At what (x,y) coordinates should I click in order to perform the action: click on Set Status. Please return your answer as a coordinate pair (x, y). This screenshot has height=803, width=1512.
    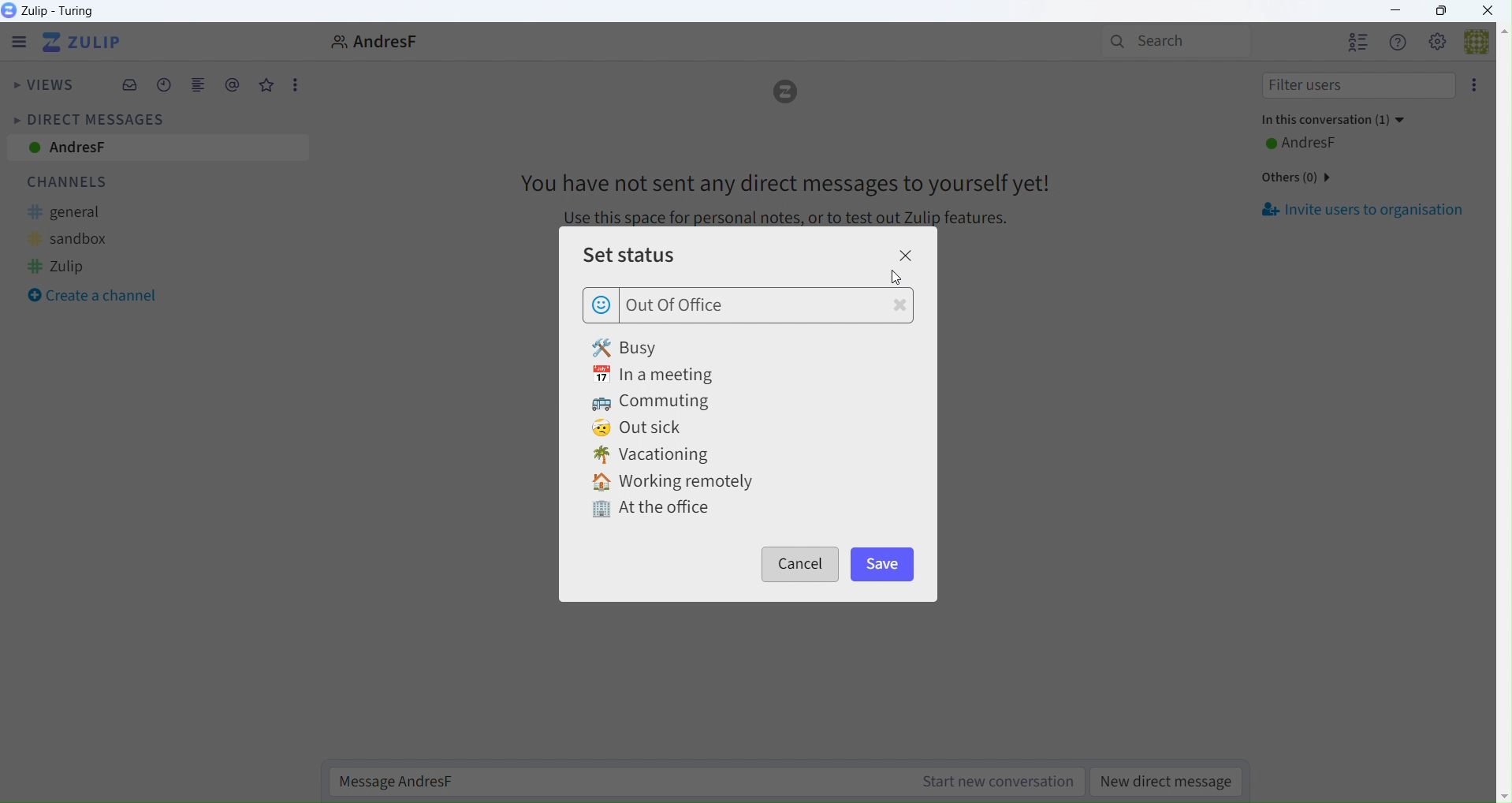
    Looking at the image, I should click on (661, 259).